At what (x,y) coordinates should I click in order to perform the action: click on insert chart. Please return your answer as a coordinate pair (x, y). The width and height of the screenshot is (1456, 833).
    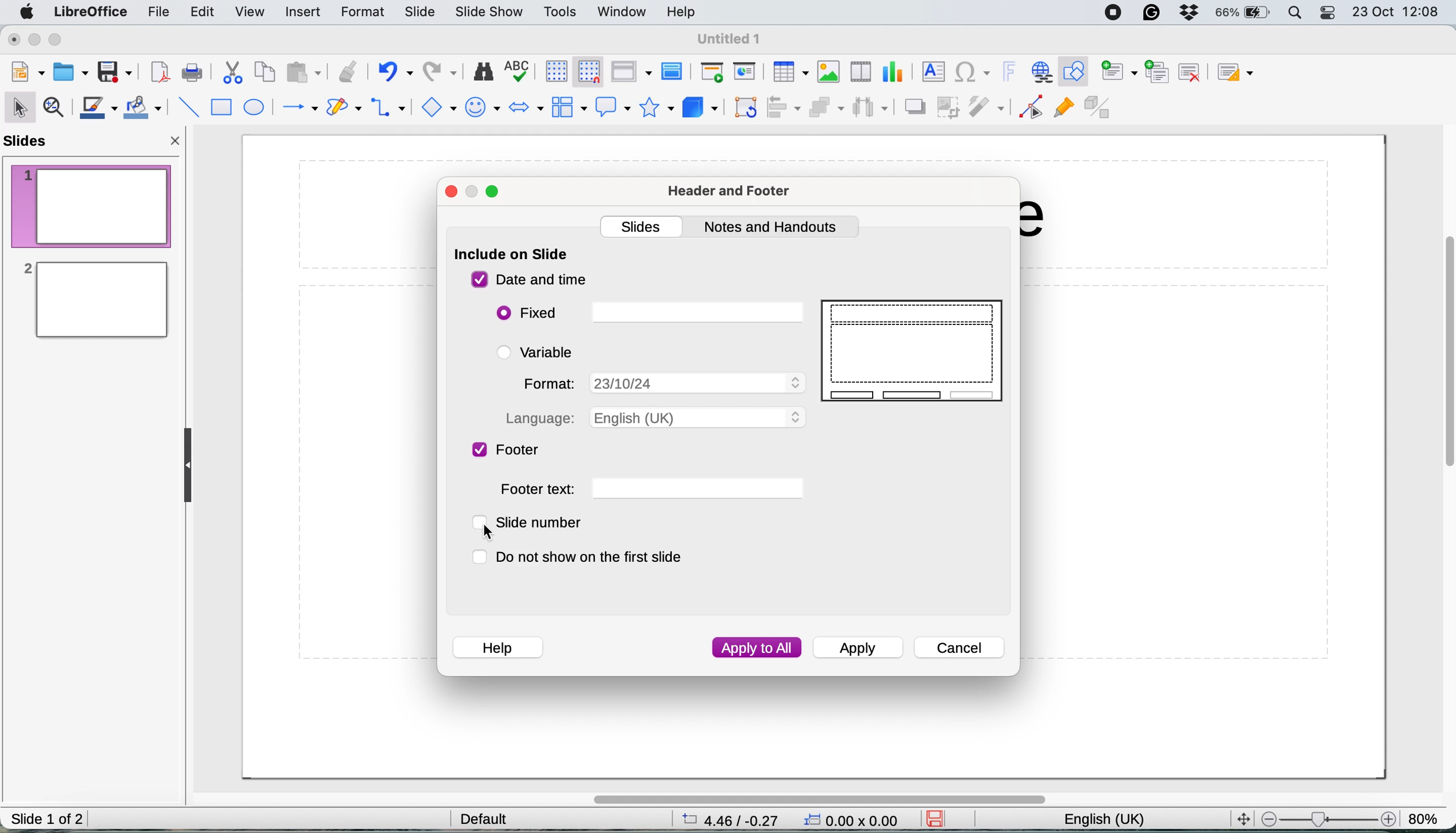
    Looking at the image, I should click on (895, 72).